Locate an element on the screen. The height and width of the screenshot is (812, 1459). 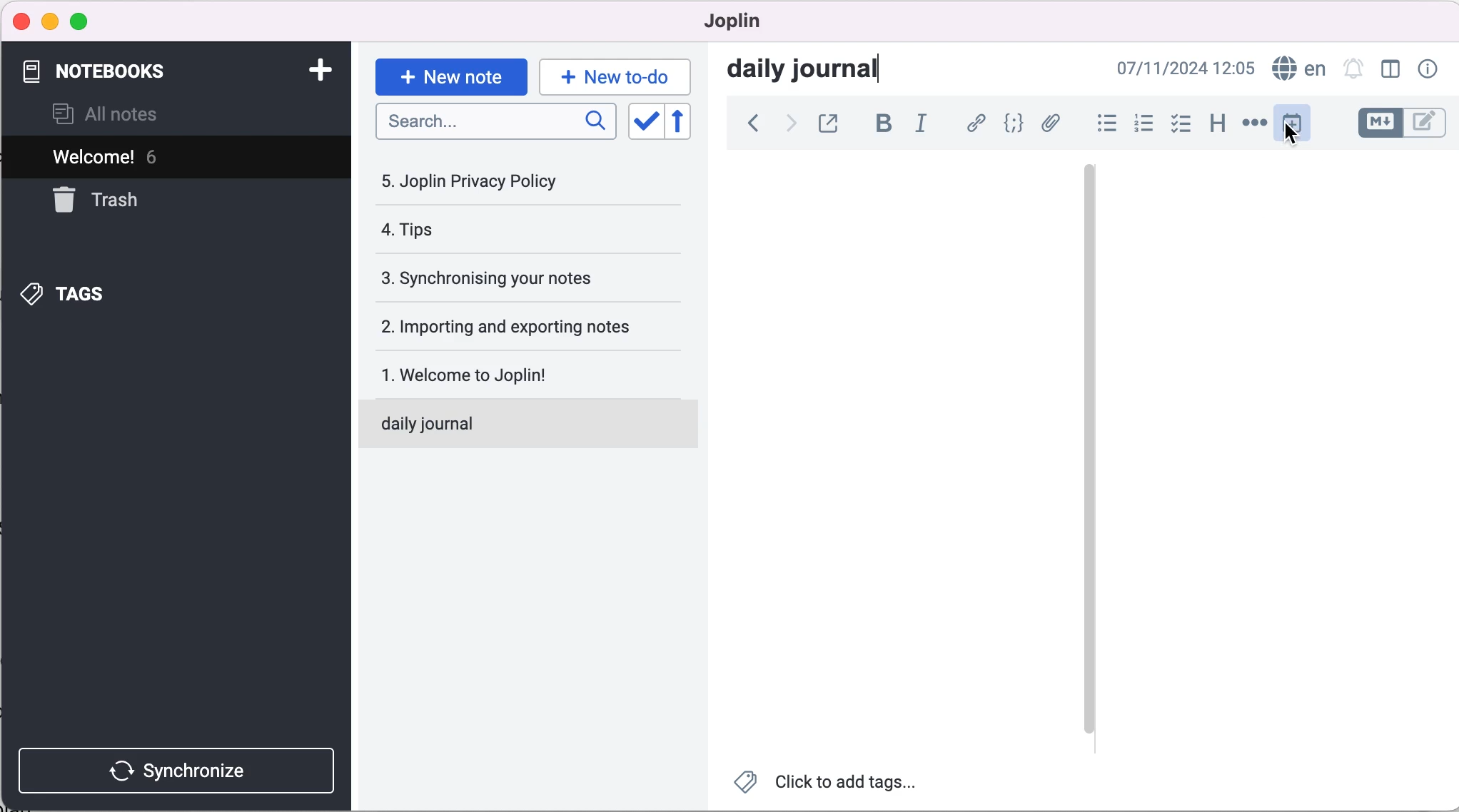
toggle sort order is located at coordinates (645, 122).